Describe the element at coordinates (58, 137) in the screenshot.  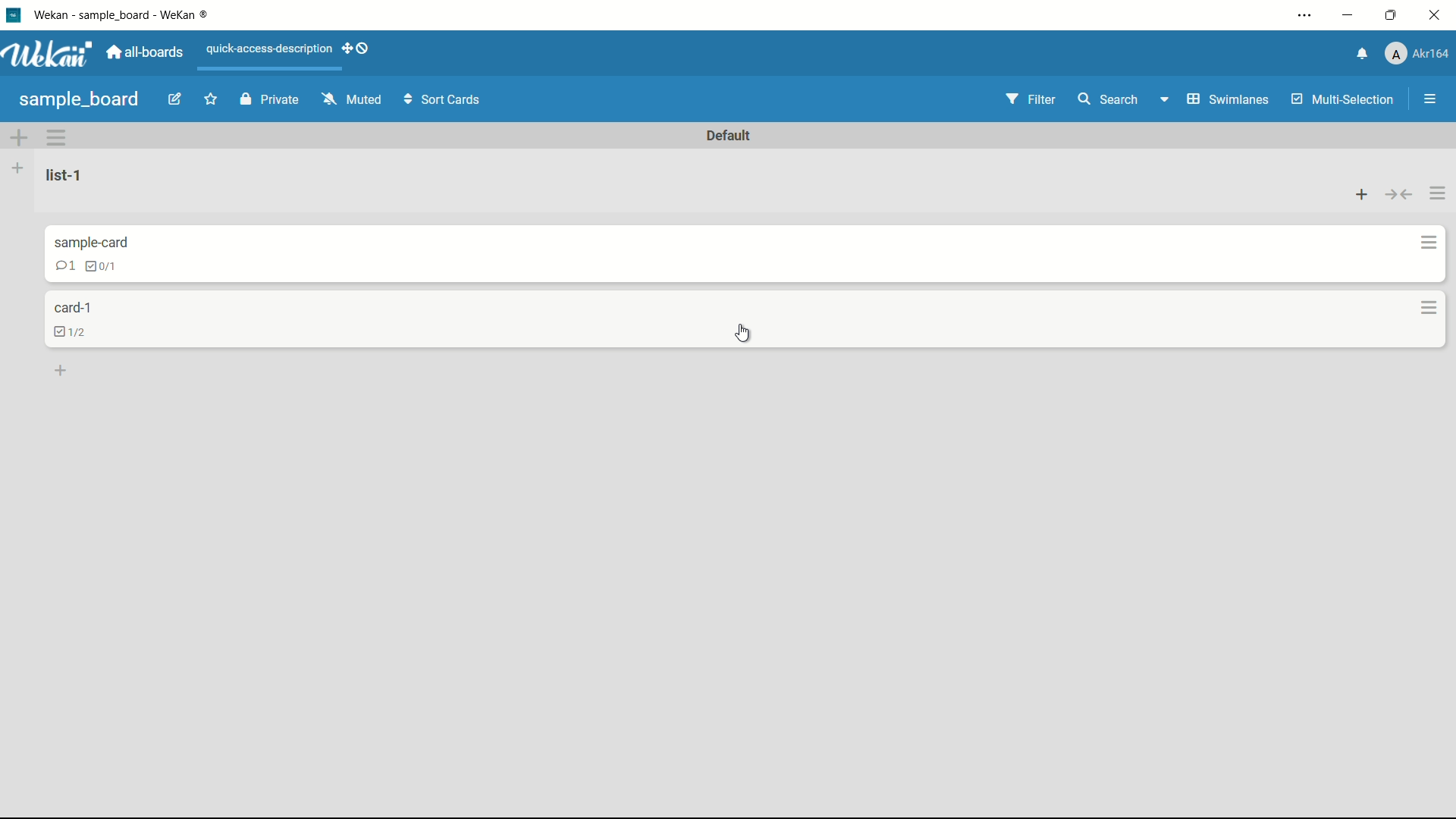
I see `swimlane actions` at that location.